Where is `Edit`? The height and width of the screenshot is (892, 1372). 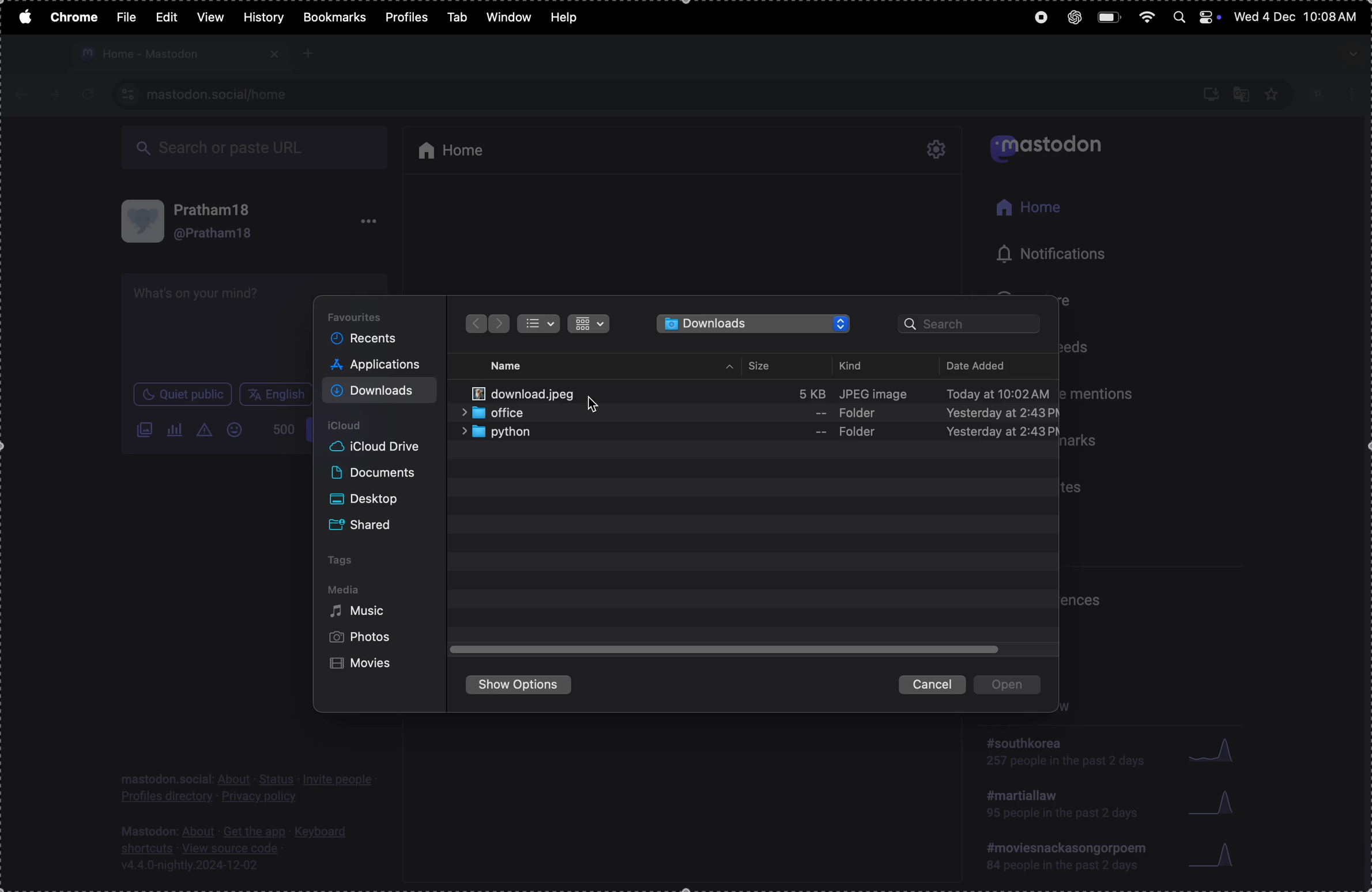
Edit is located at coordinates (169, 16).